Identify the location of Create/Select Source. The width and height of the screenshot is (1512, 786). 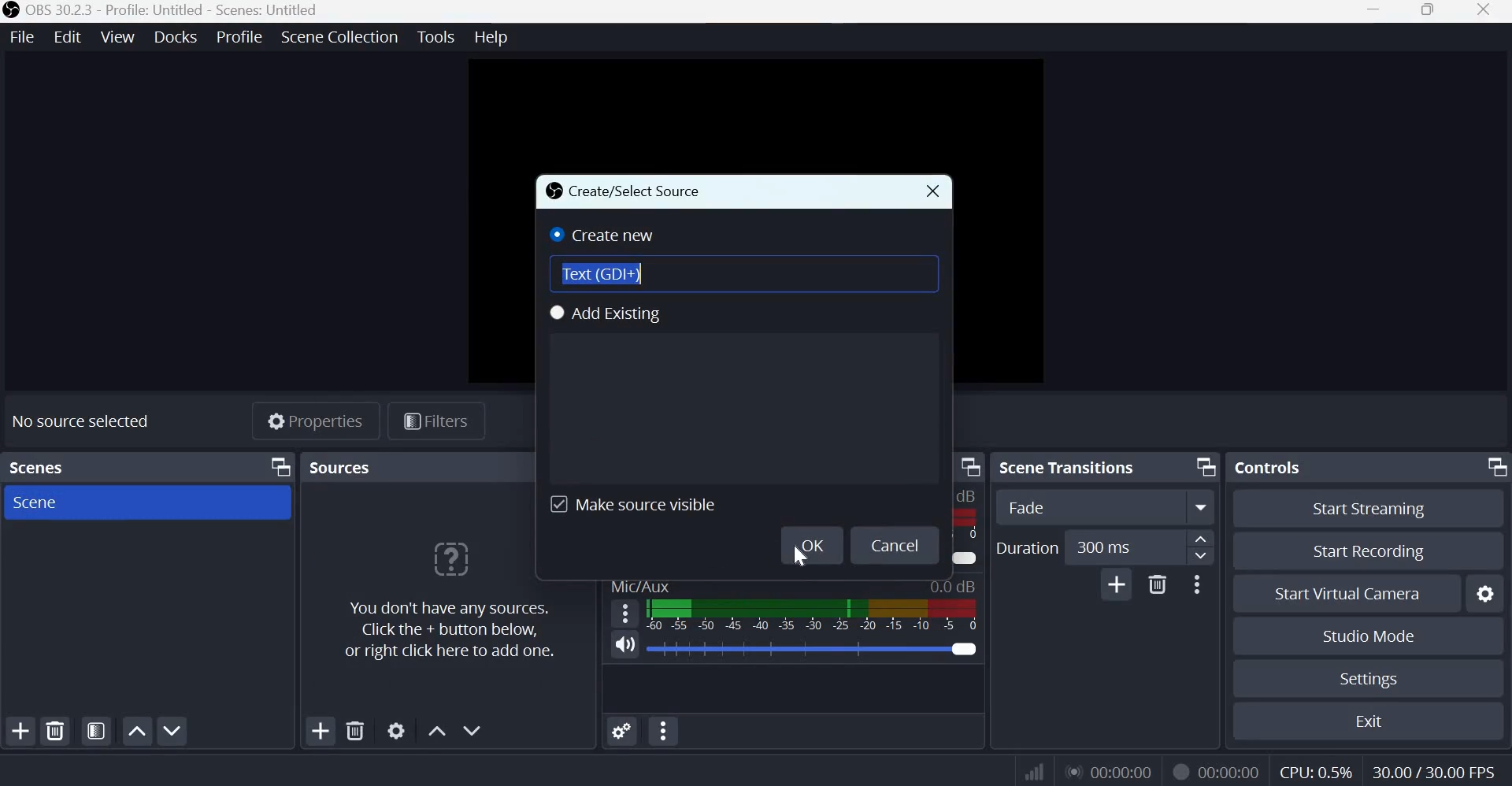
(623, 191).